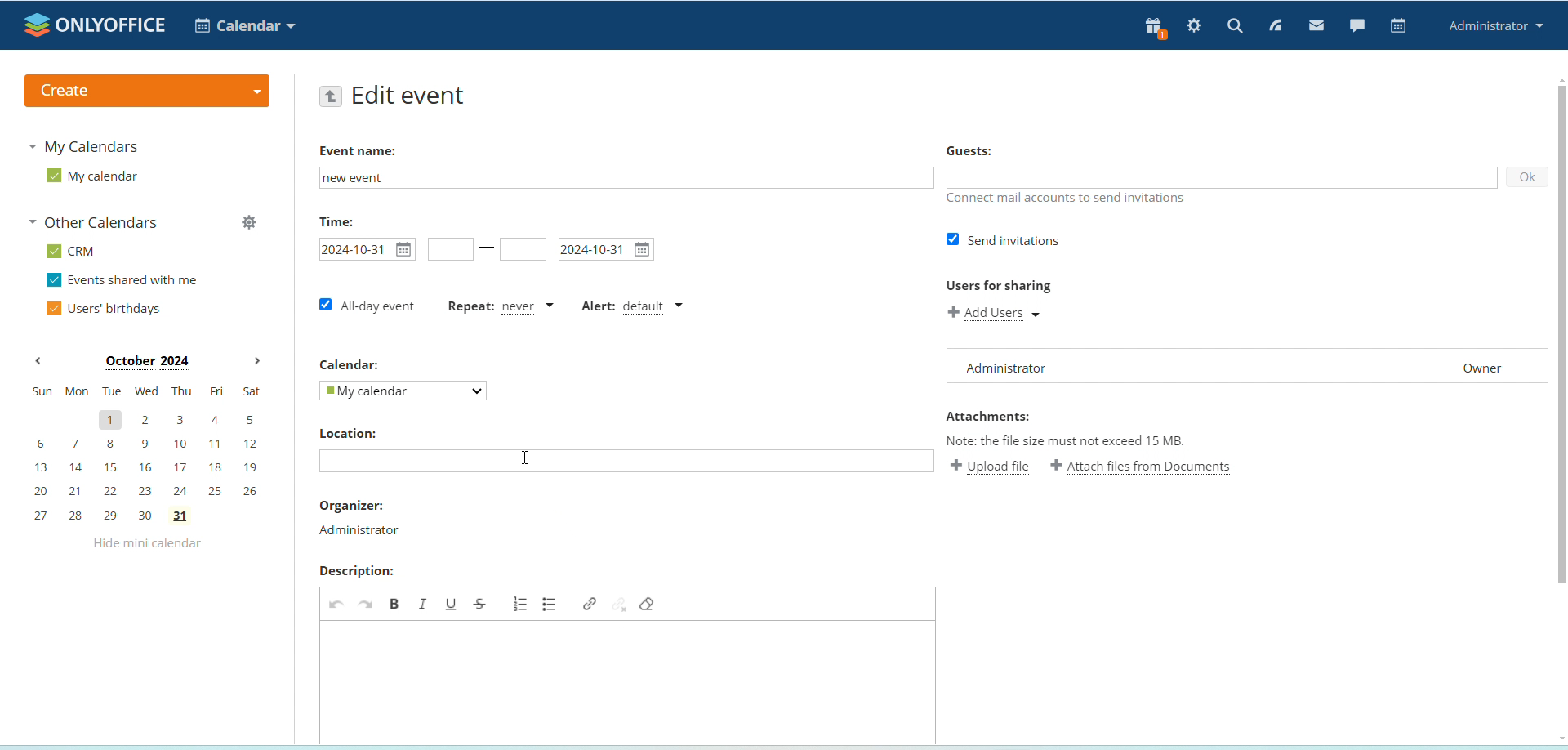 This screenshot has width=1568, height=750. I want to click on Organizer, so click(350, 505).